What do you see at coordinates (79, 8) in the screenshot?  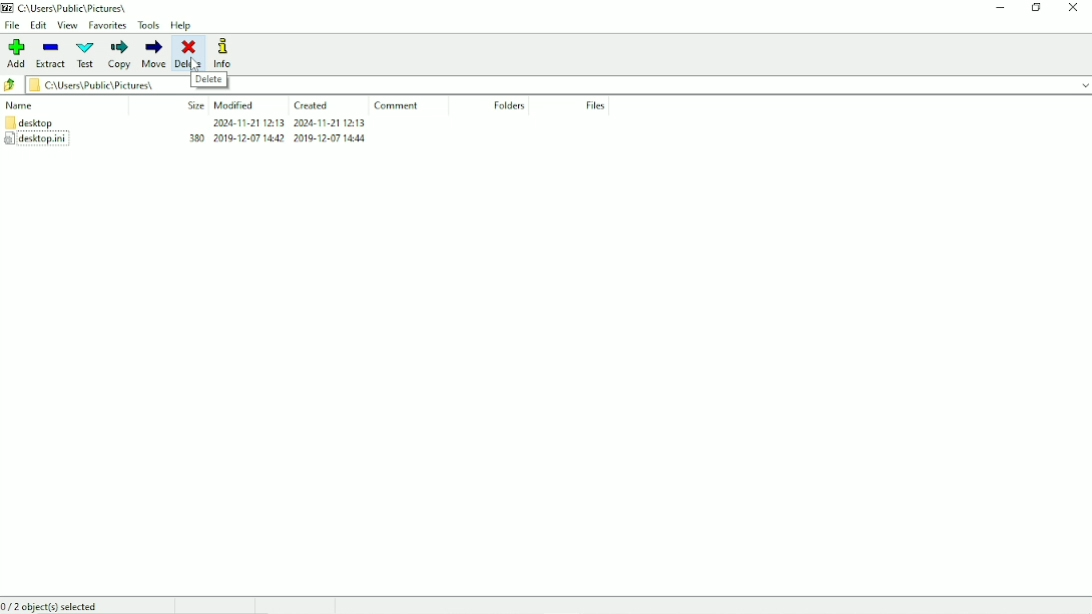 I see `c/Users\Publc\ Pictures` at bounding box center [79, 8].